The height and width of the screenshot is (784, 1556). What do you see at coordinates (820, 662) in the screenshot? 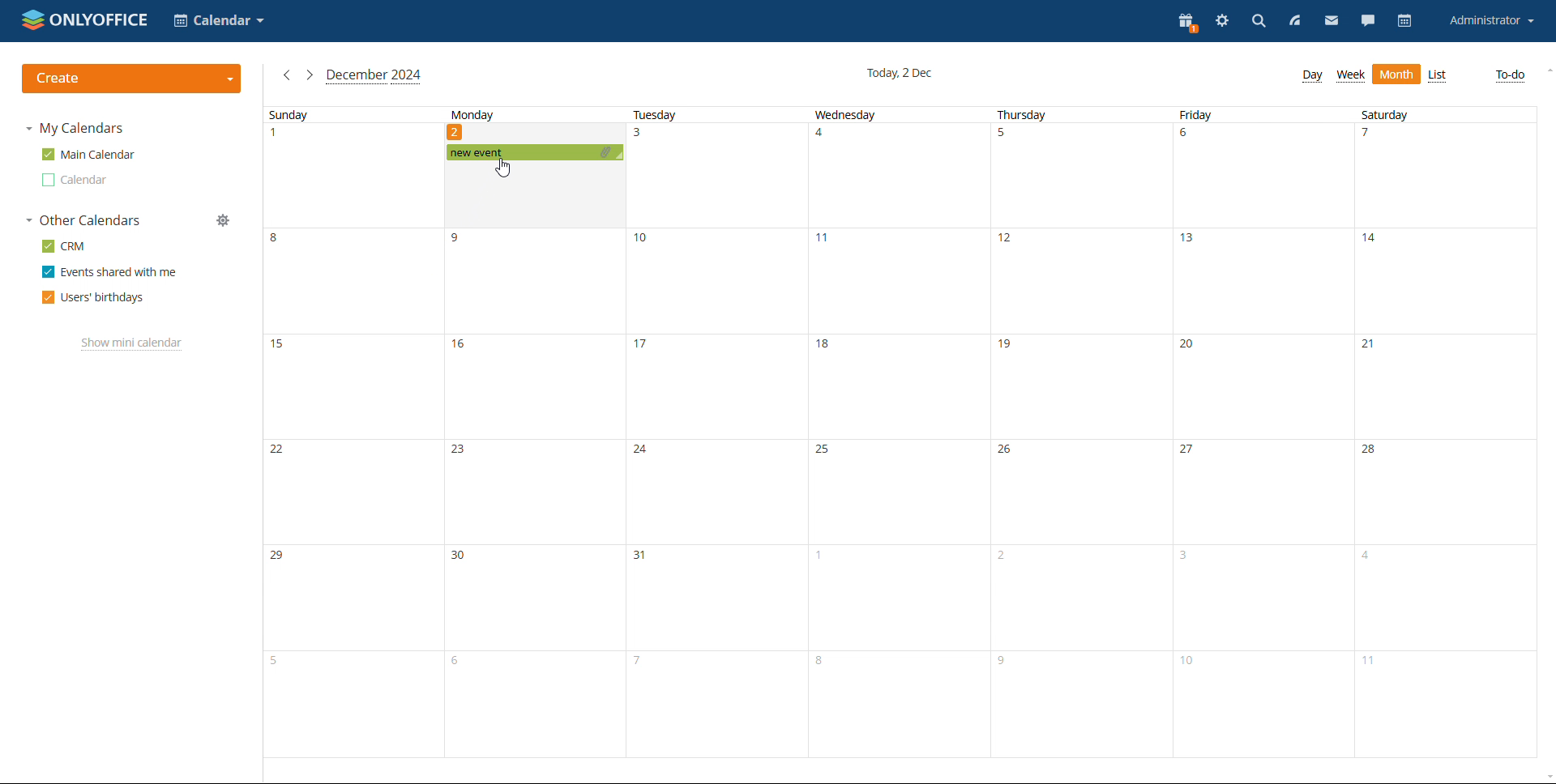
I see `8` at bounding box center [820, 662].